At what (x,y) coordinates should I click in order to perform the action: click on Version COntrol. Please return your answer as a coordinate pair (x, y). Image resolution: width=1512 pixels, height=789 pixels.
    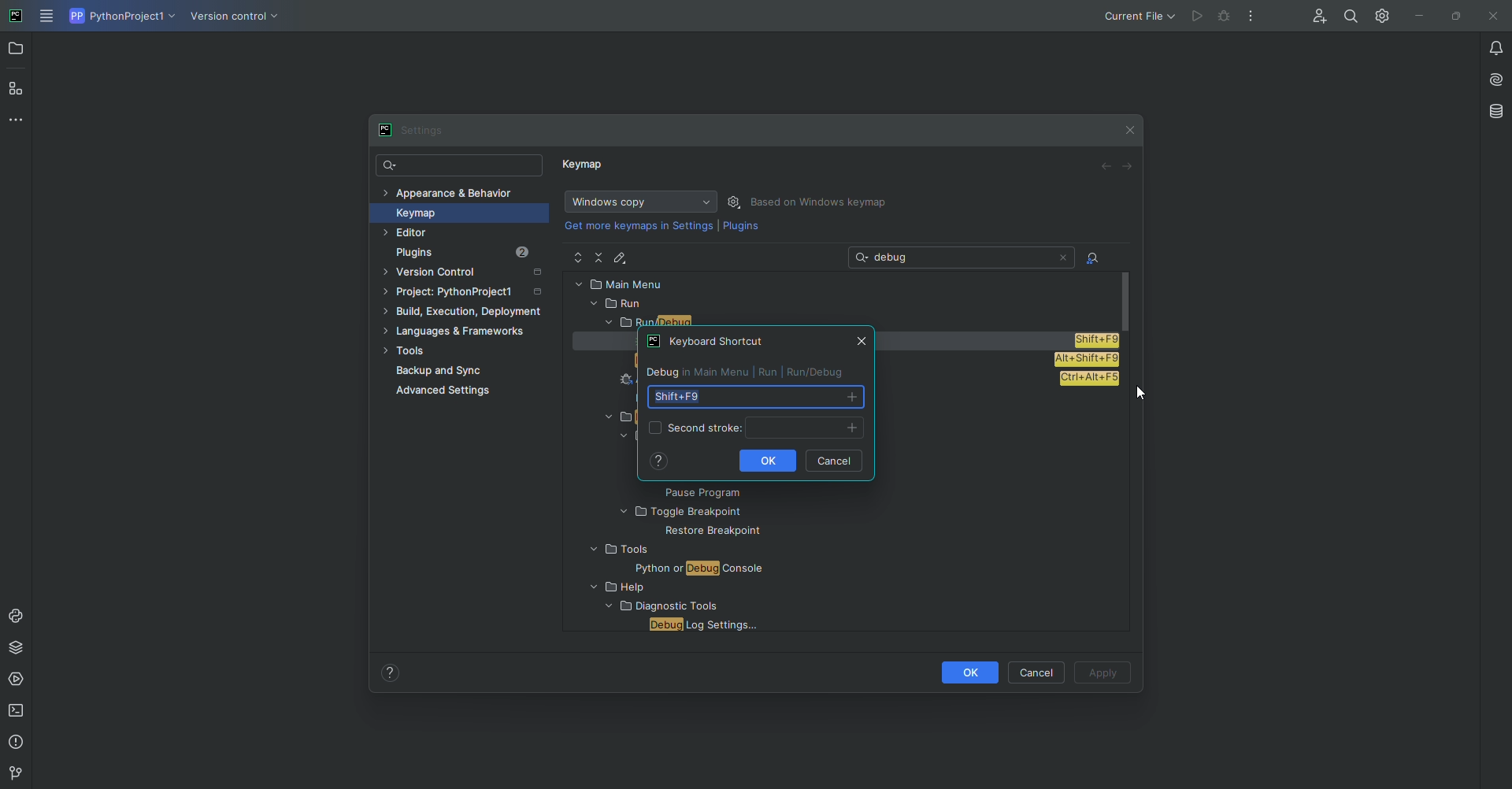
    Looking at the image, I should click on (238, 19).